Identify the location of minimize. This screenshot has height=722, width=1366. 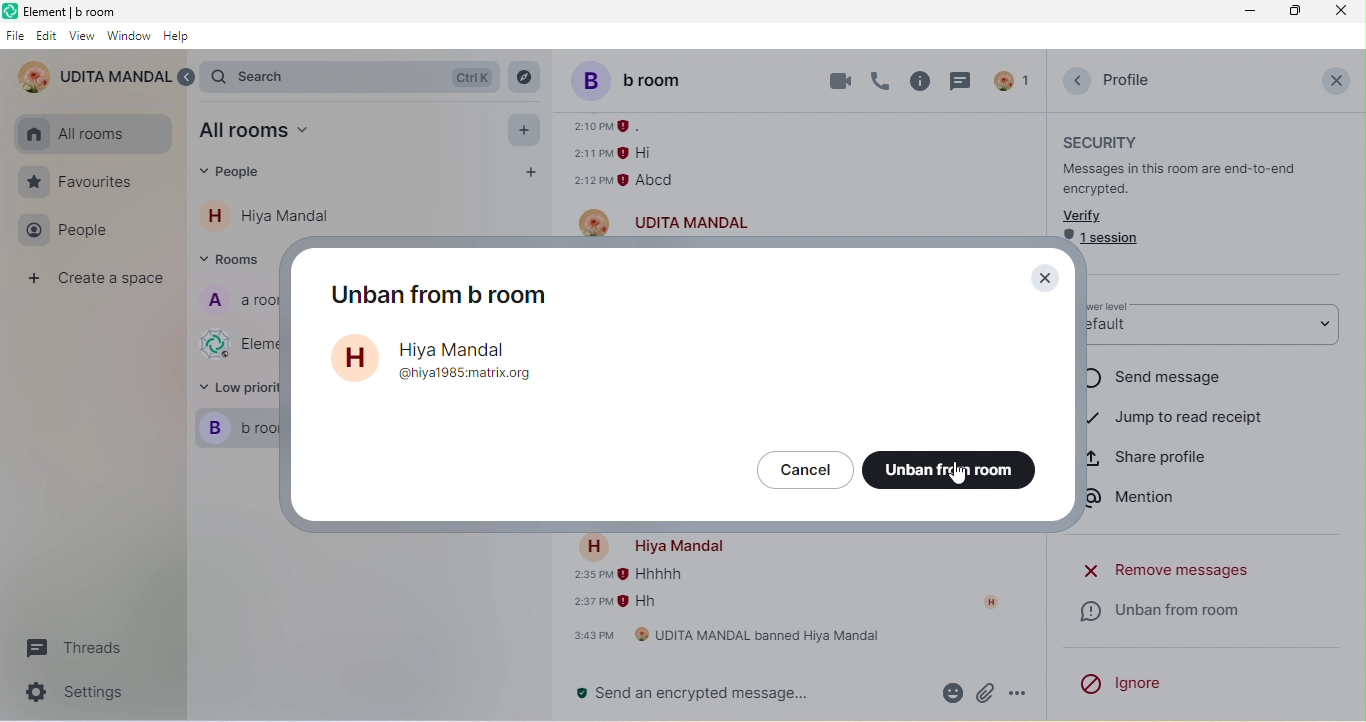
(1248, 11).